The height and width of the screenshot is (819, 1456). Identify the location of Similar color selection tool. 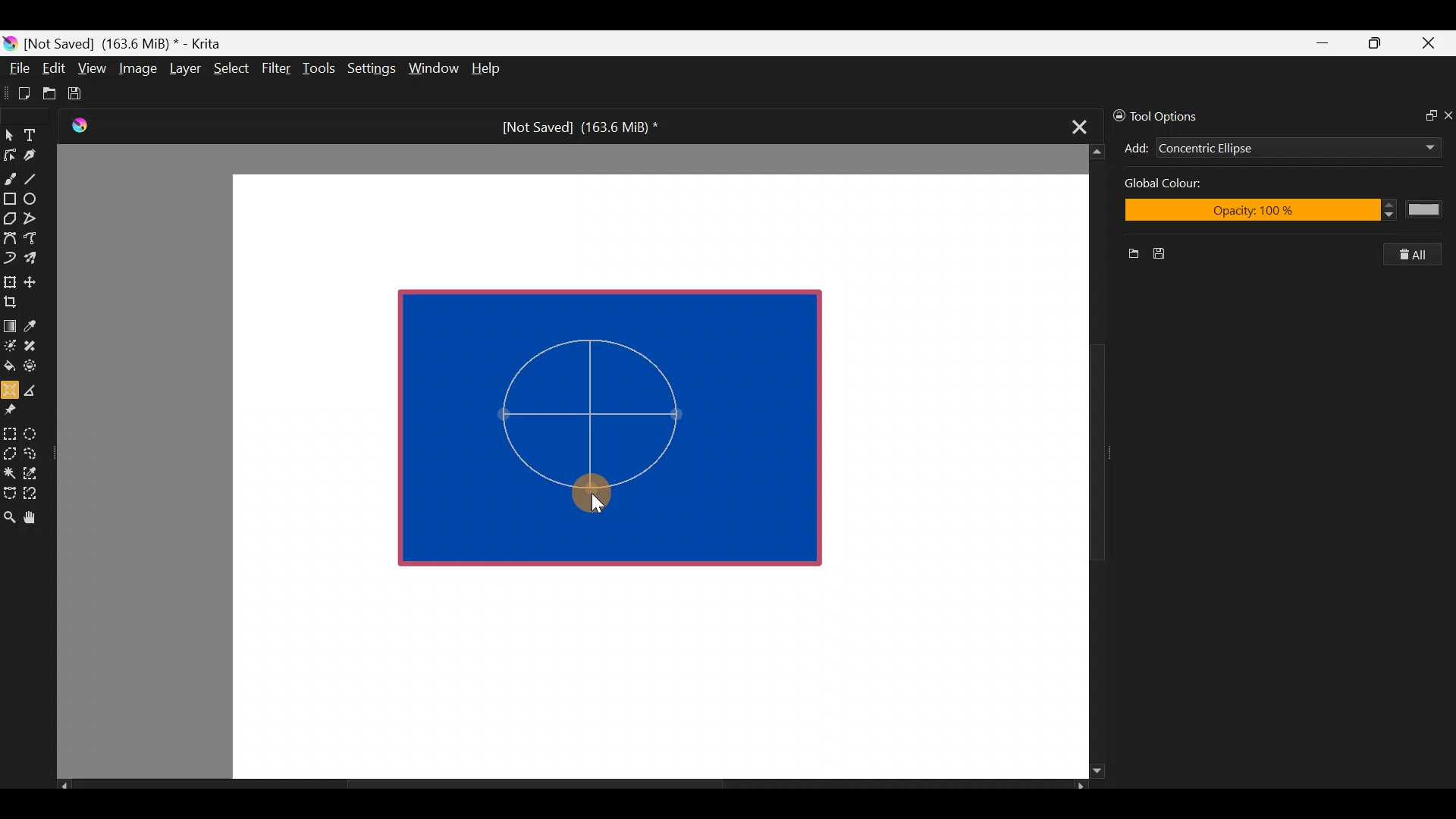
(33, 472).